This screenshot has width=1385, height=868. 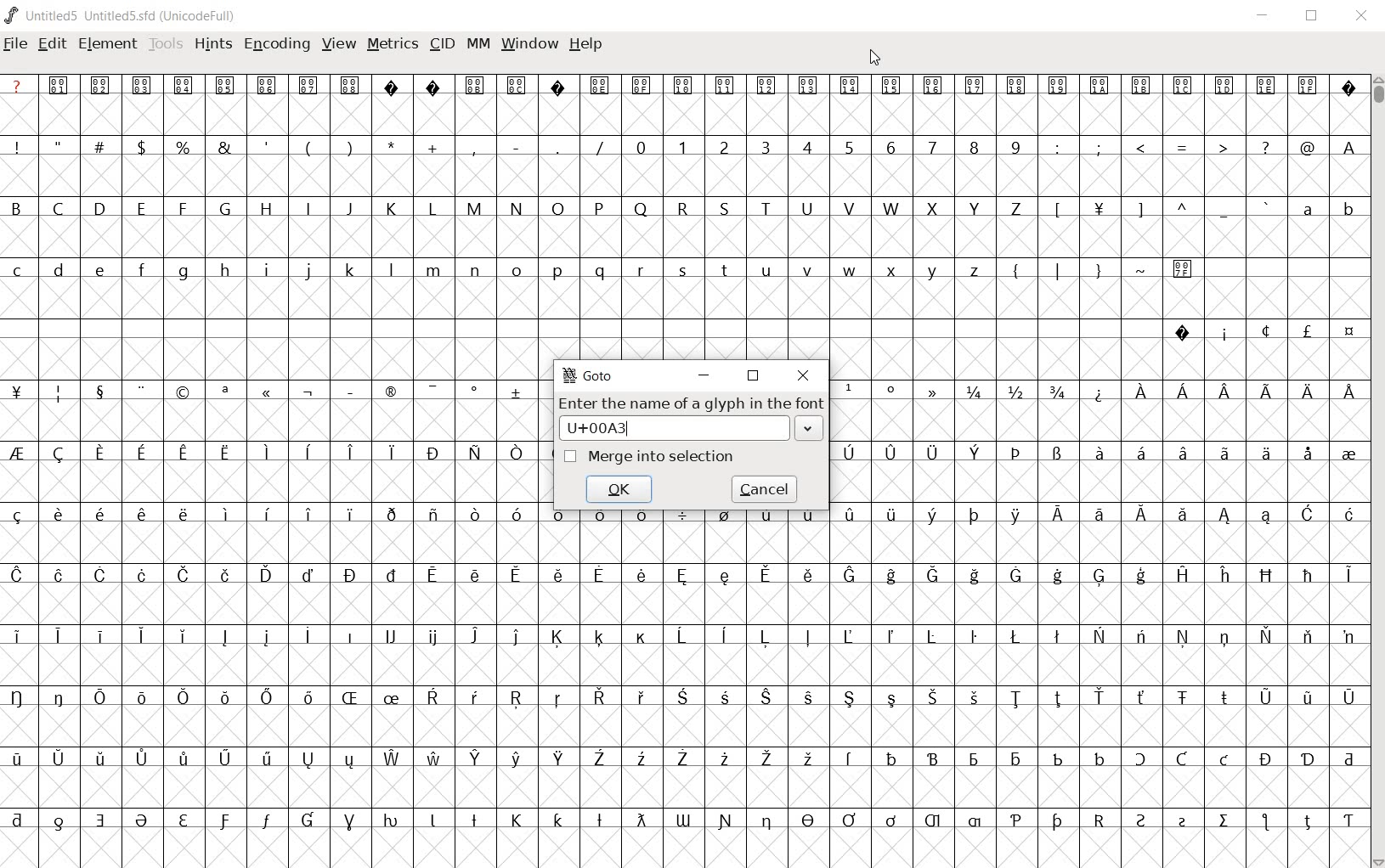 I want to click on #, so click(x=104, y=148).